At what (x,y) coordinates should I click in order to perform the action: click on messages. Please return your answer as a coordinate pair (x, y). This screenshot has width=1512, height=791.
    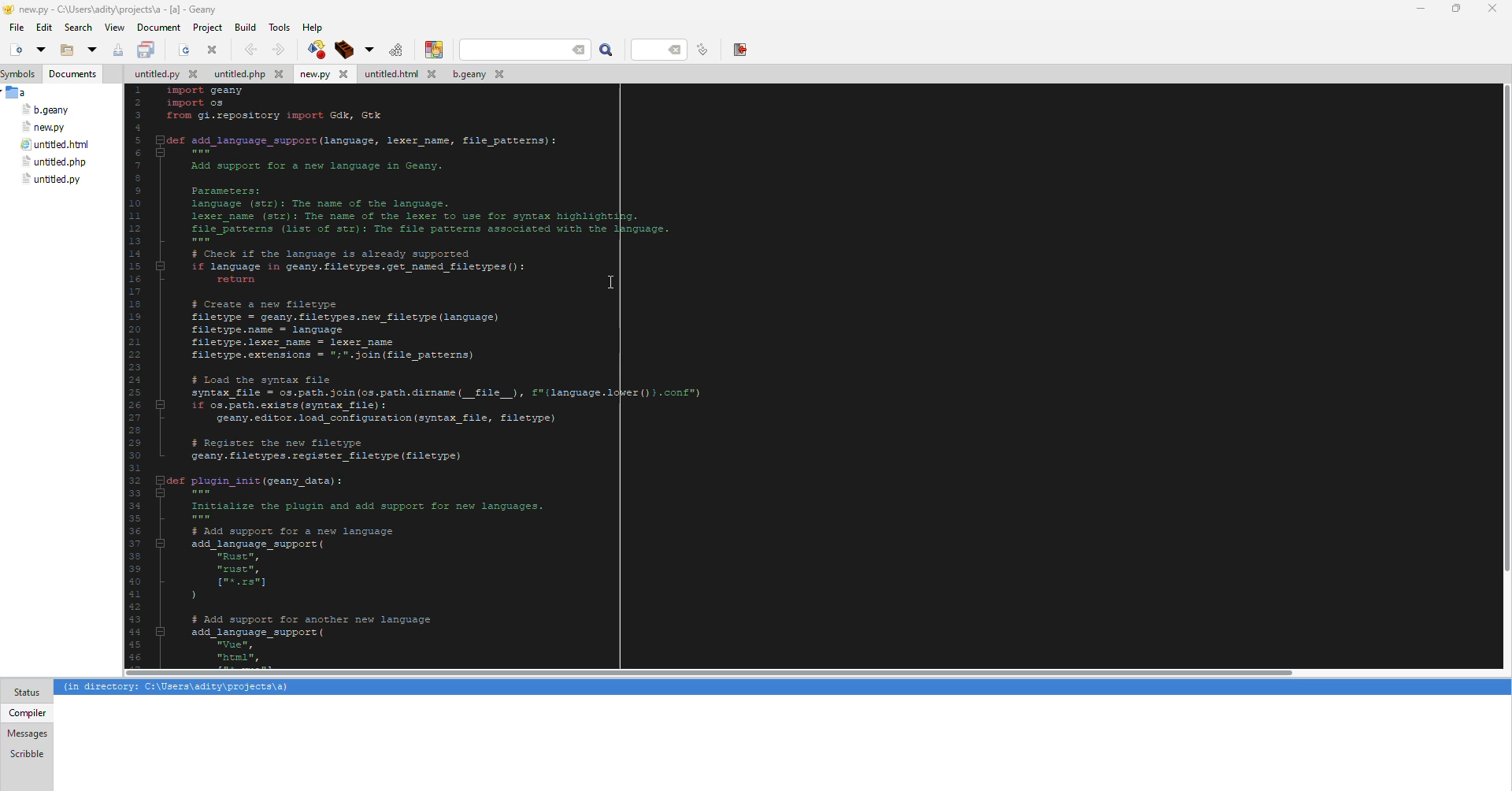
    Looking at the image, I should click on (27, 733).